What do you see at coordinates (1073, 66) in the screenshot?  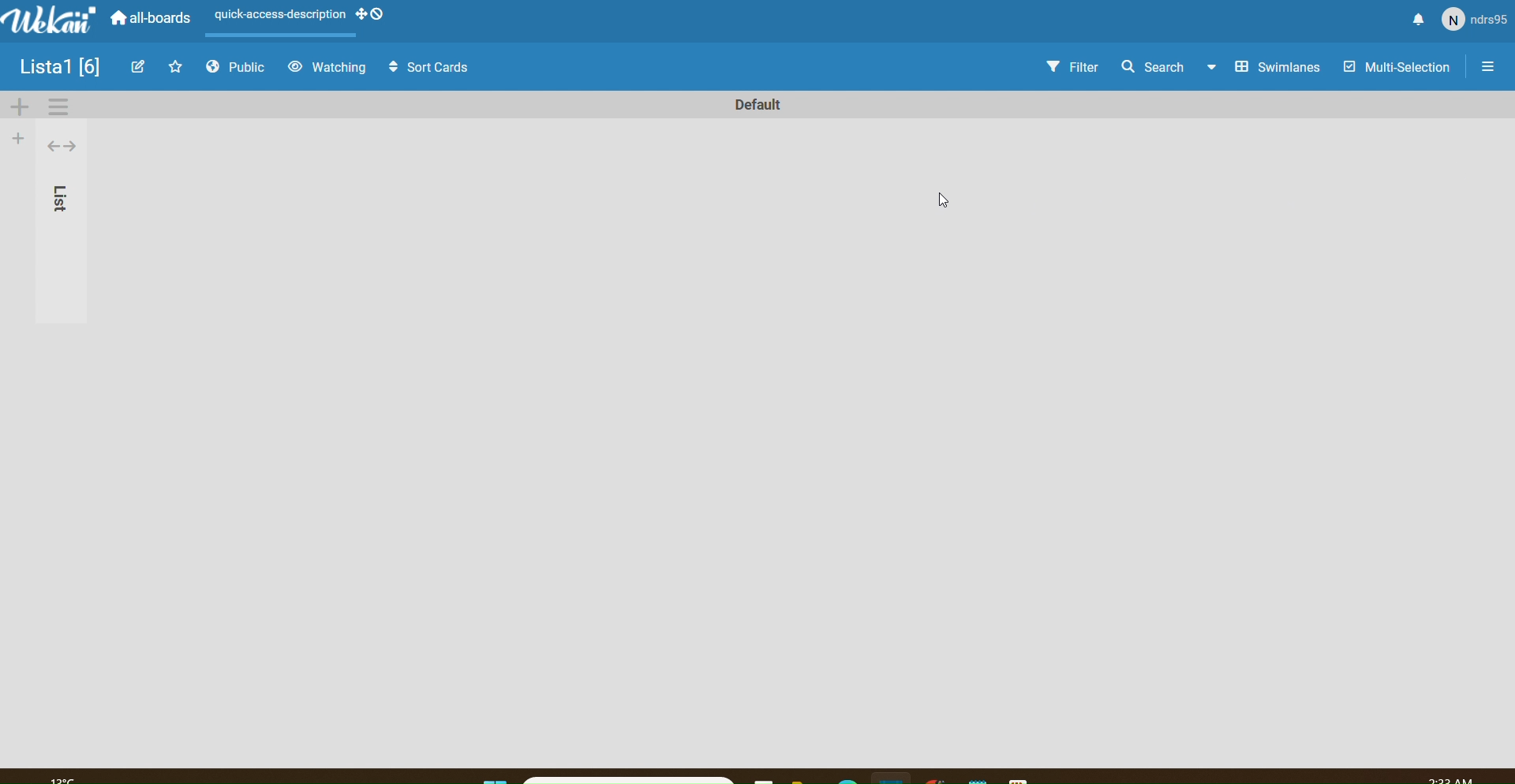 I see `Filter` at bounding box center [1073, 66].